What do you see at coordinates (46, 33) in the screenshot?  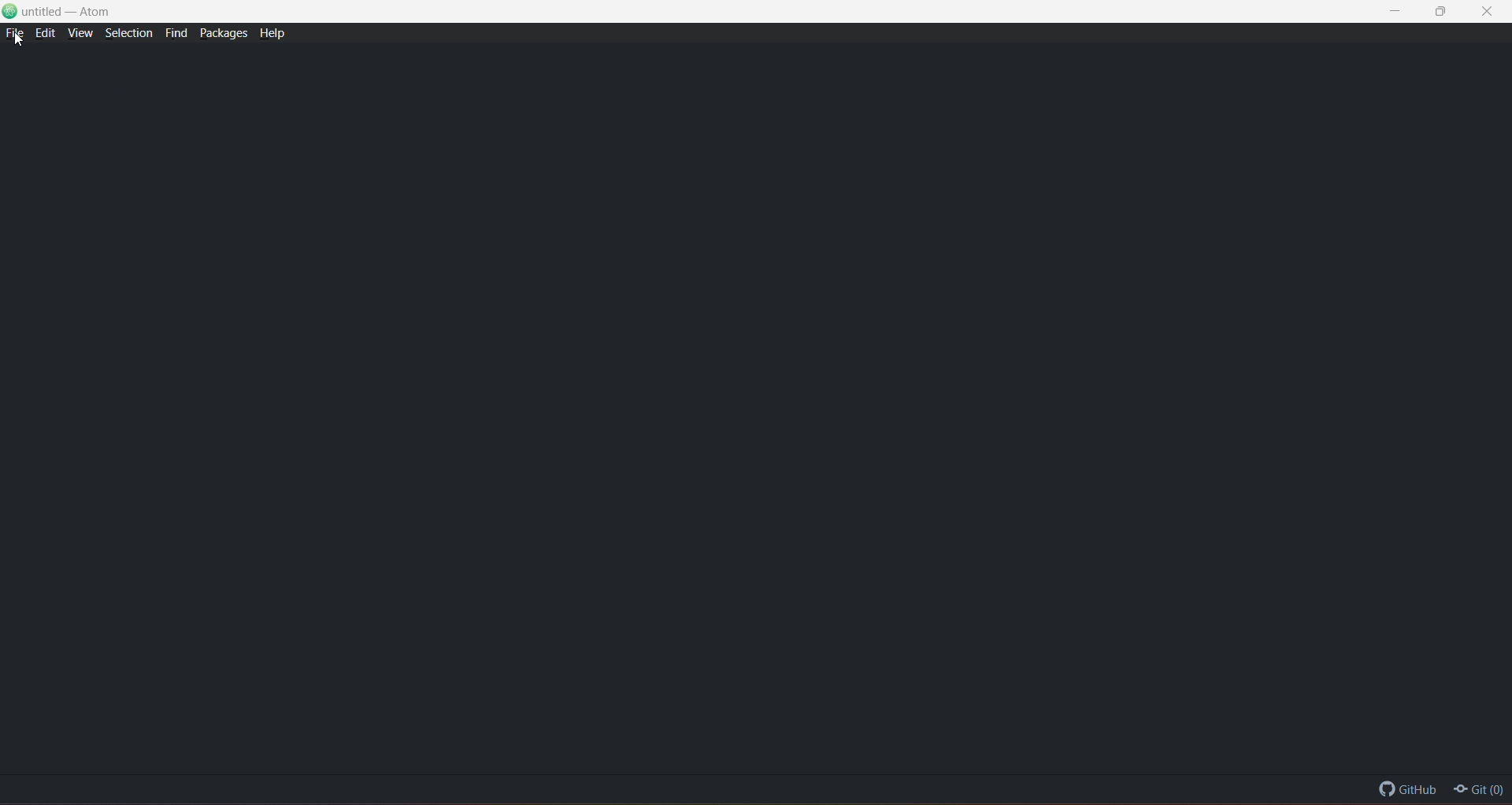 I see `Edit` at bounding box center [46, 33].